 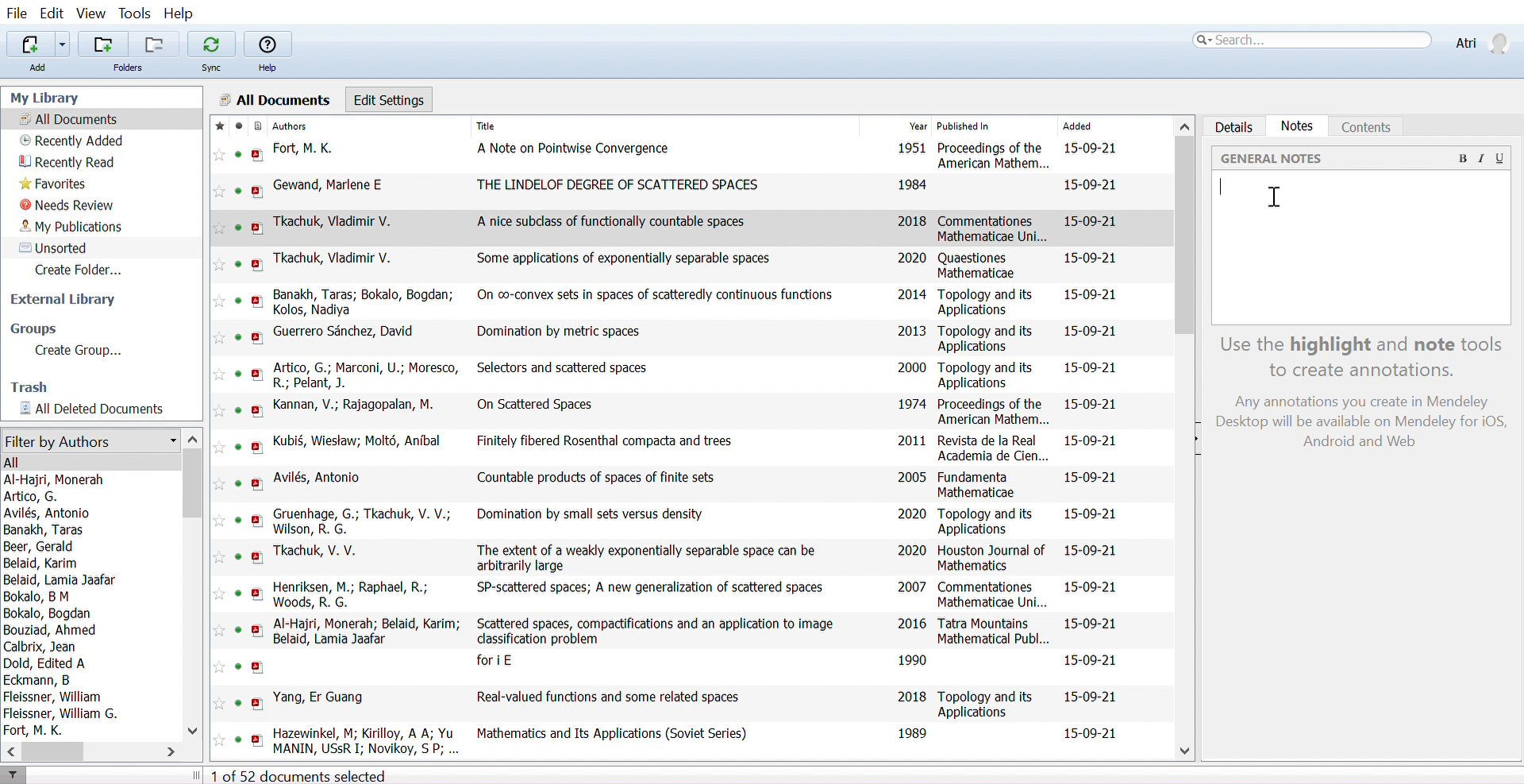 I want to click on Commentationes Mathematicae Uni..., so click(x=993, y=230).